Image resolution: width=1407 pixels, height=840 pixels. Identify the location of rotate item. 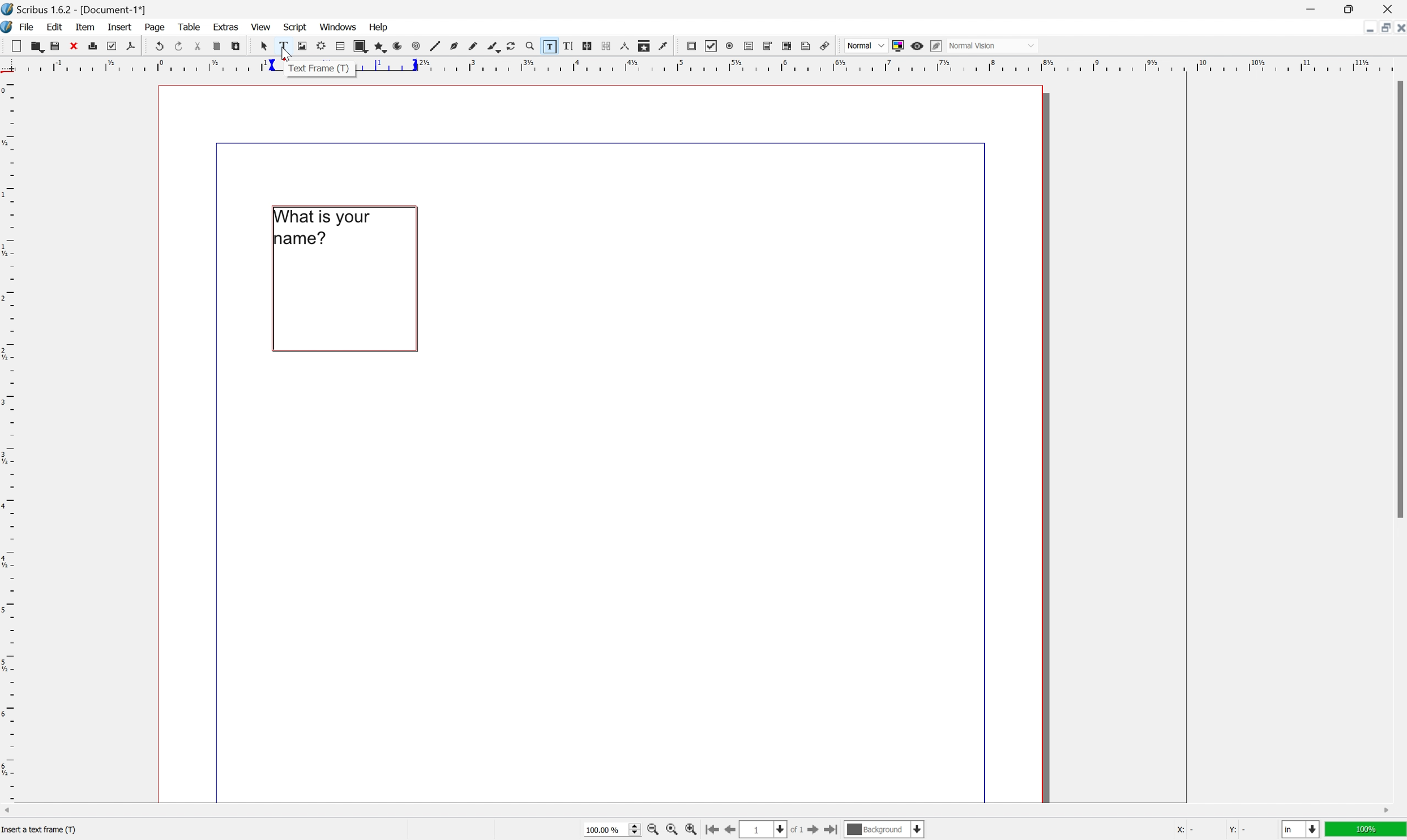
(511, 46).